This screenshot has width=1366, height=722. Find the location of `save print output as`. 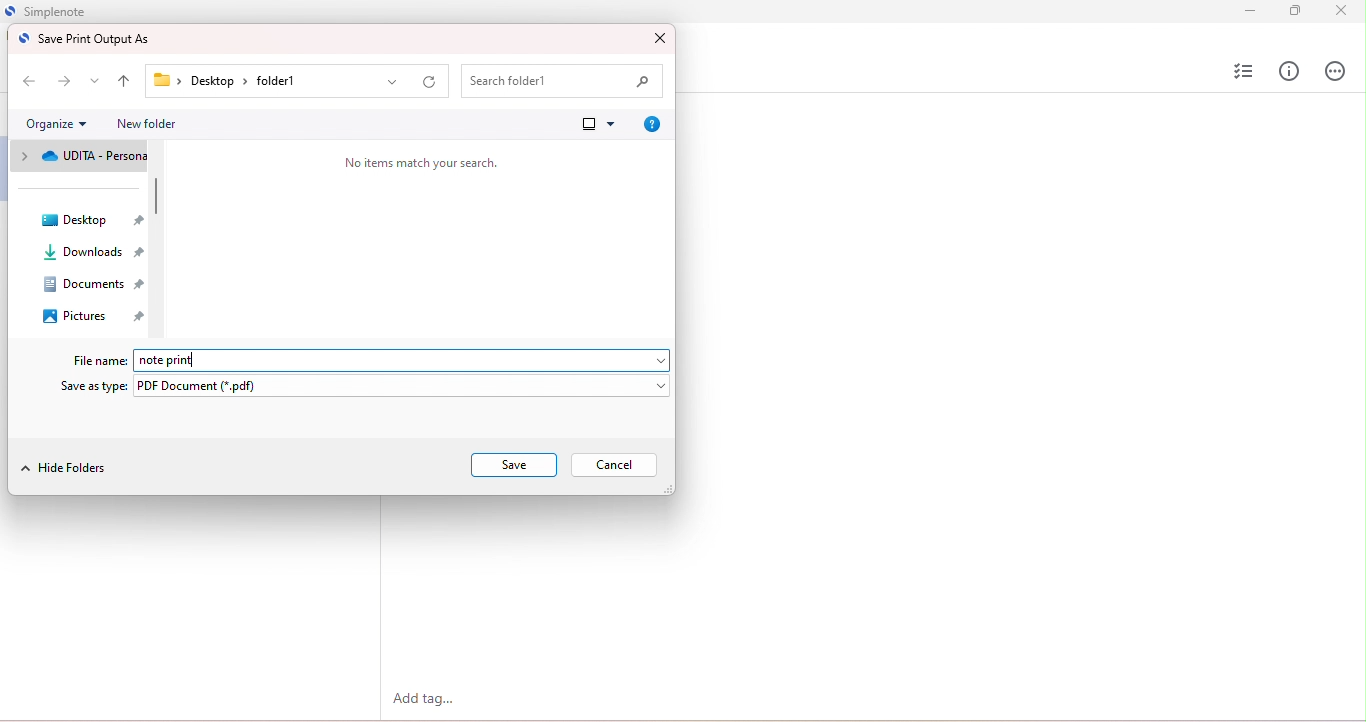

save print output as is located at coordinates (86, 39).